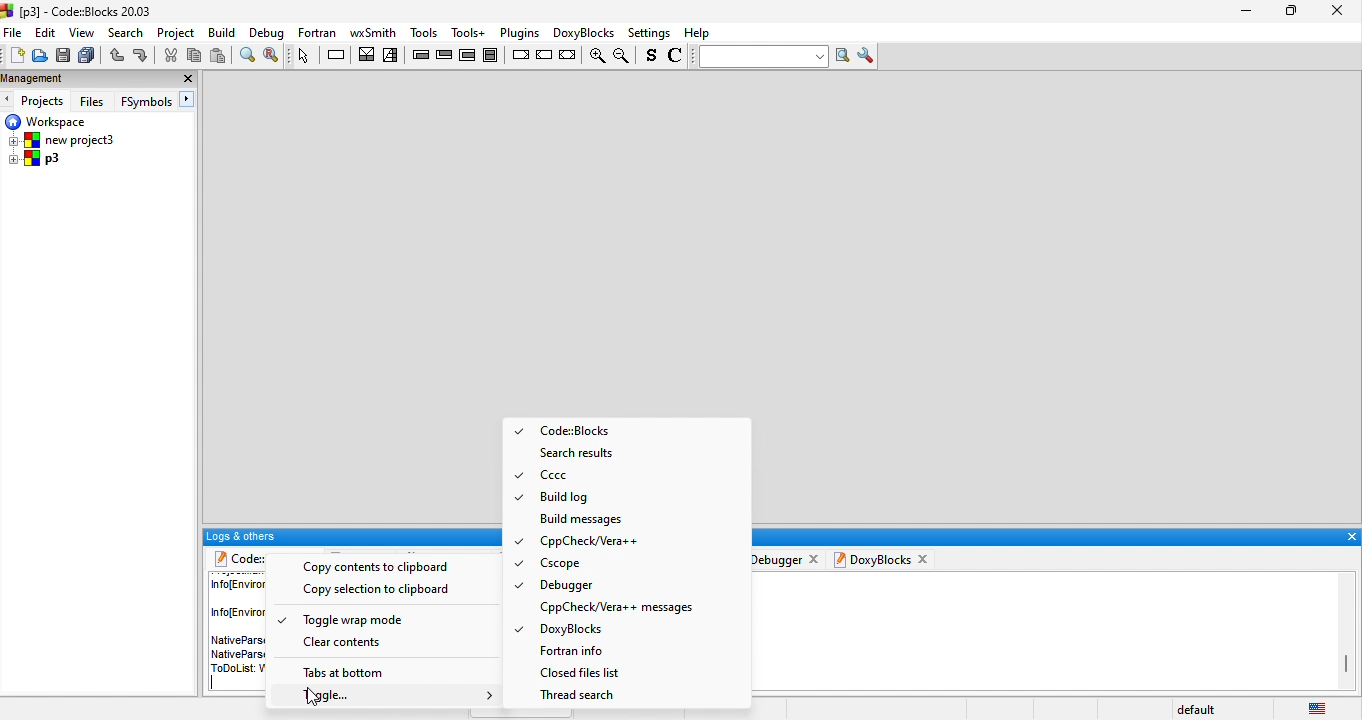  I want to click on doxyblocks, so click(604, 631).